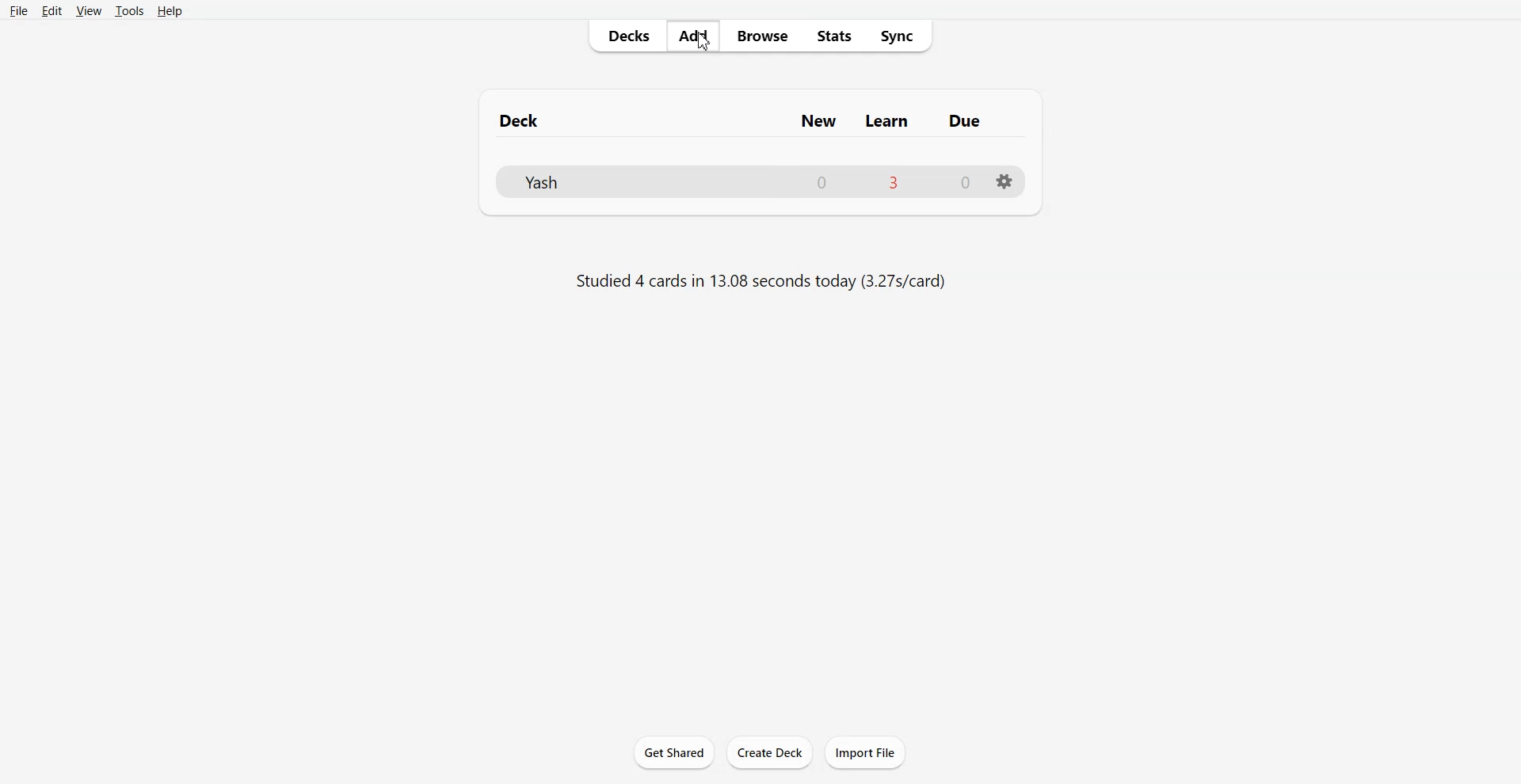  I want to click on Browse, so click(763, 36).